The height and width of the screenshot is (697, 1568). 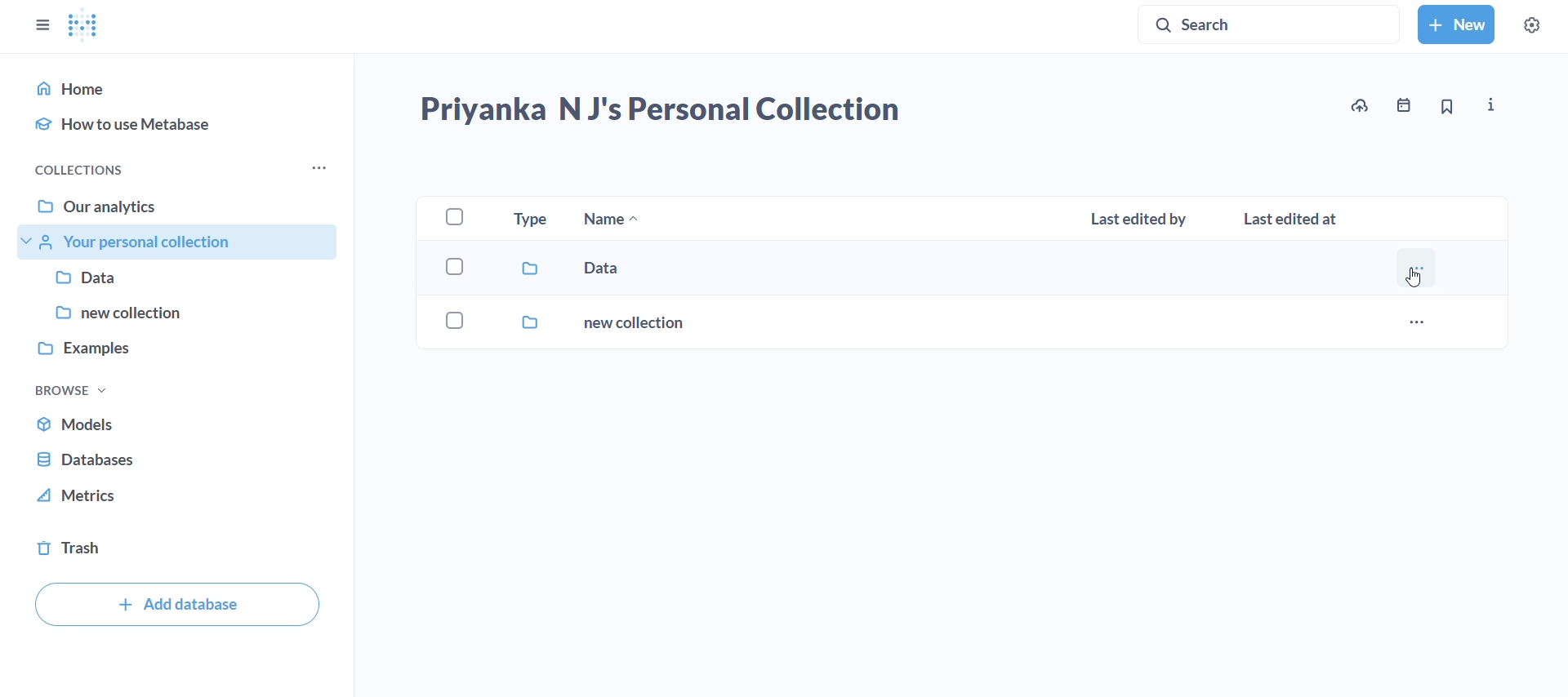 I want to click on our analytics, so click(x=183, y=210).